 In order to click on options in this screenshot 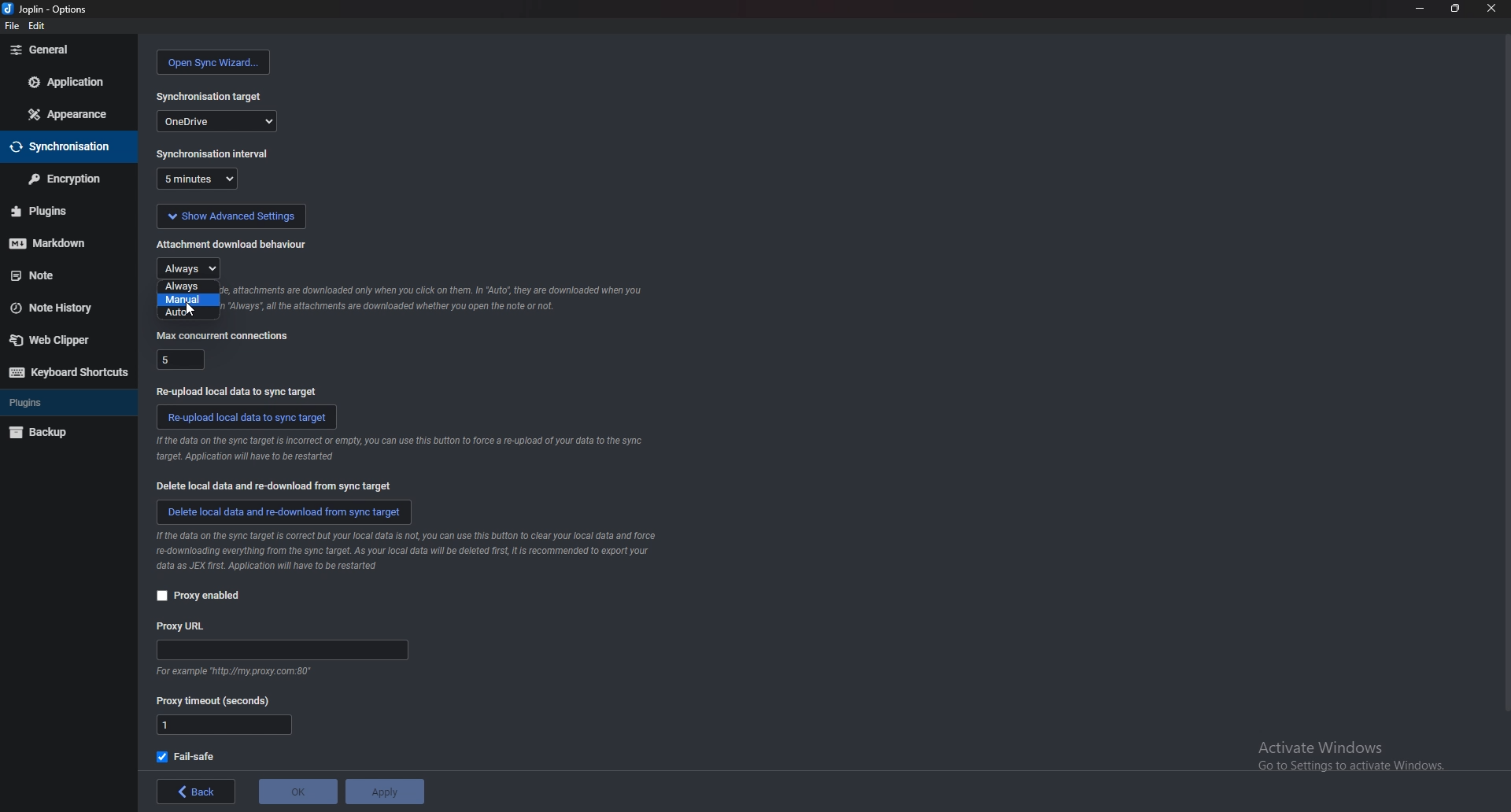, I will do `click(47, 9)`.